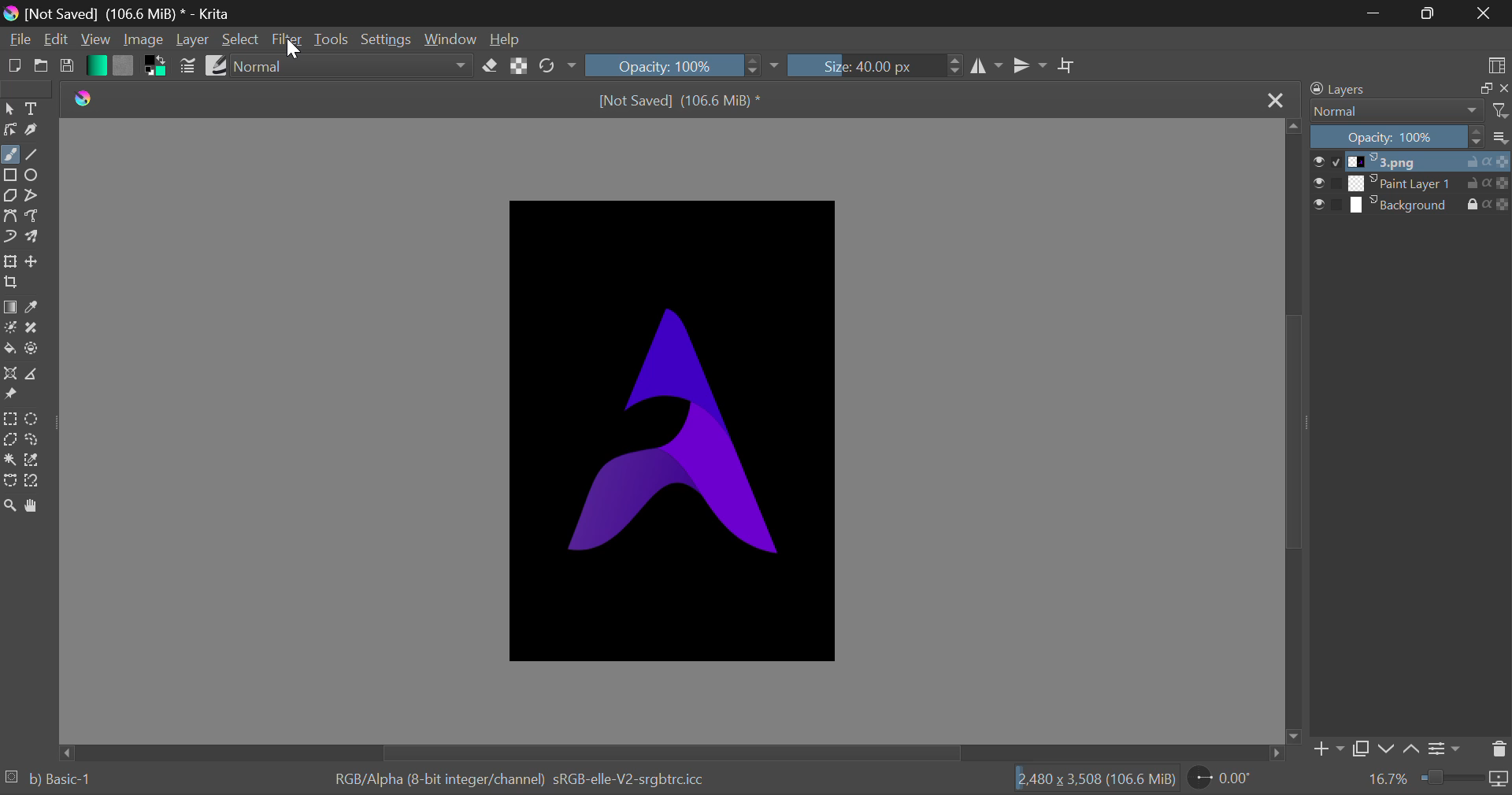  Describe the element at coordinates (67, 782) in the screenshot. I see `b) Basic 1` at that location.